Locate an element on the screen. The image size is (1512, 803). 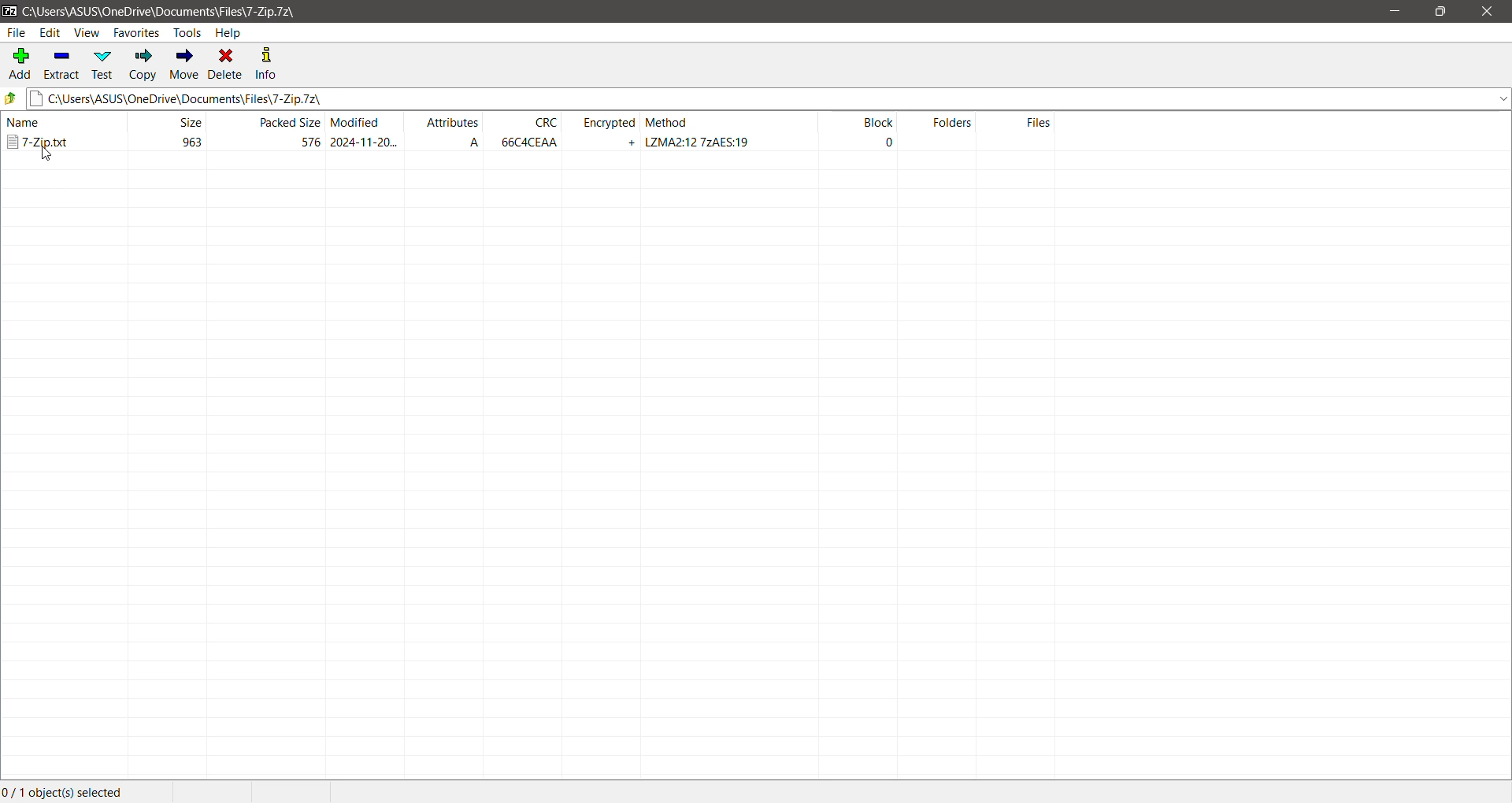
Password protected archive file is located at coordinates (55, 134).